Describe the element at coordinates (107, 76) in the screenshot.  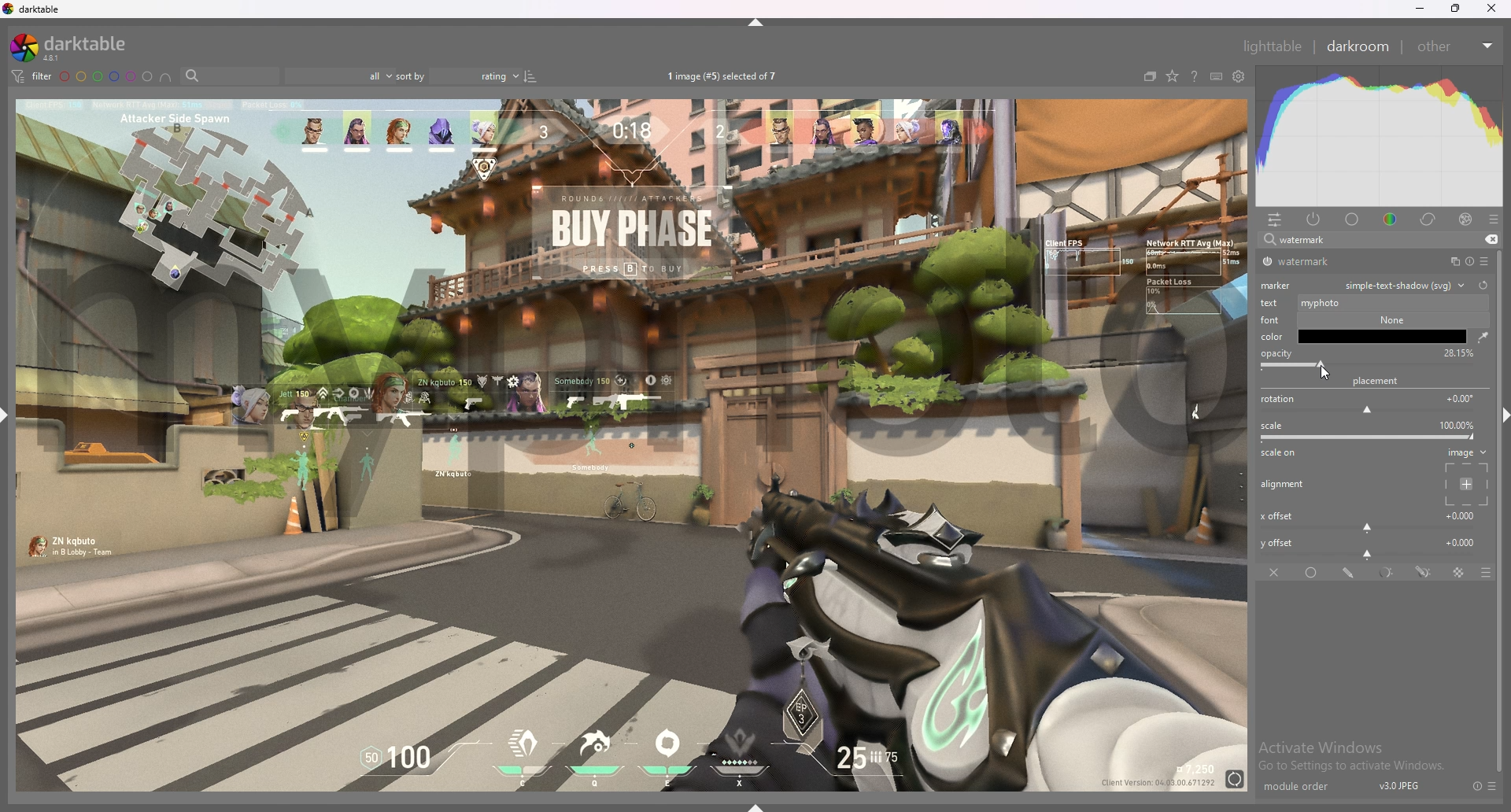
I see `color label` at that location.